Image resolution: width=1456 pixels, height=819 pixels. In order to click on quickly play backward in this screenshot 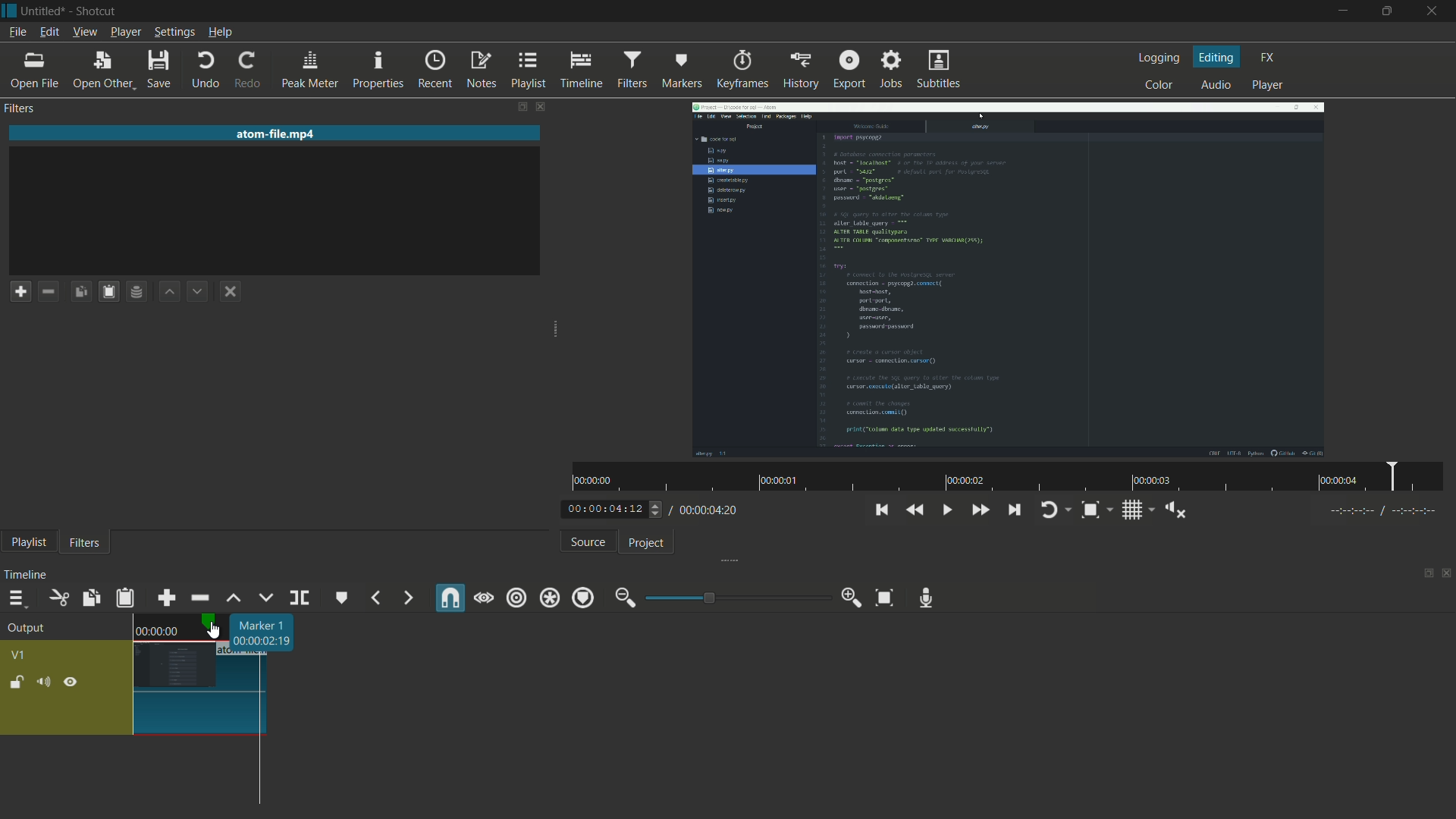, I will do `click(915, 510)`.